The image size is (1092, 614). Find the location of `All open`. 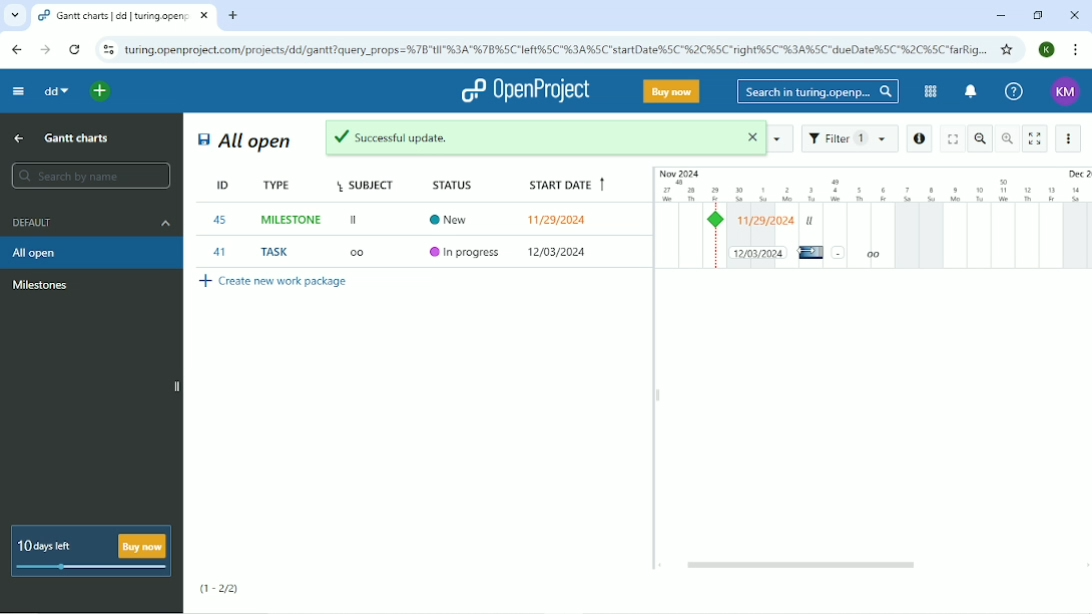

All open is located at coordinates (92, 252).